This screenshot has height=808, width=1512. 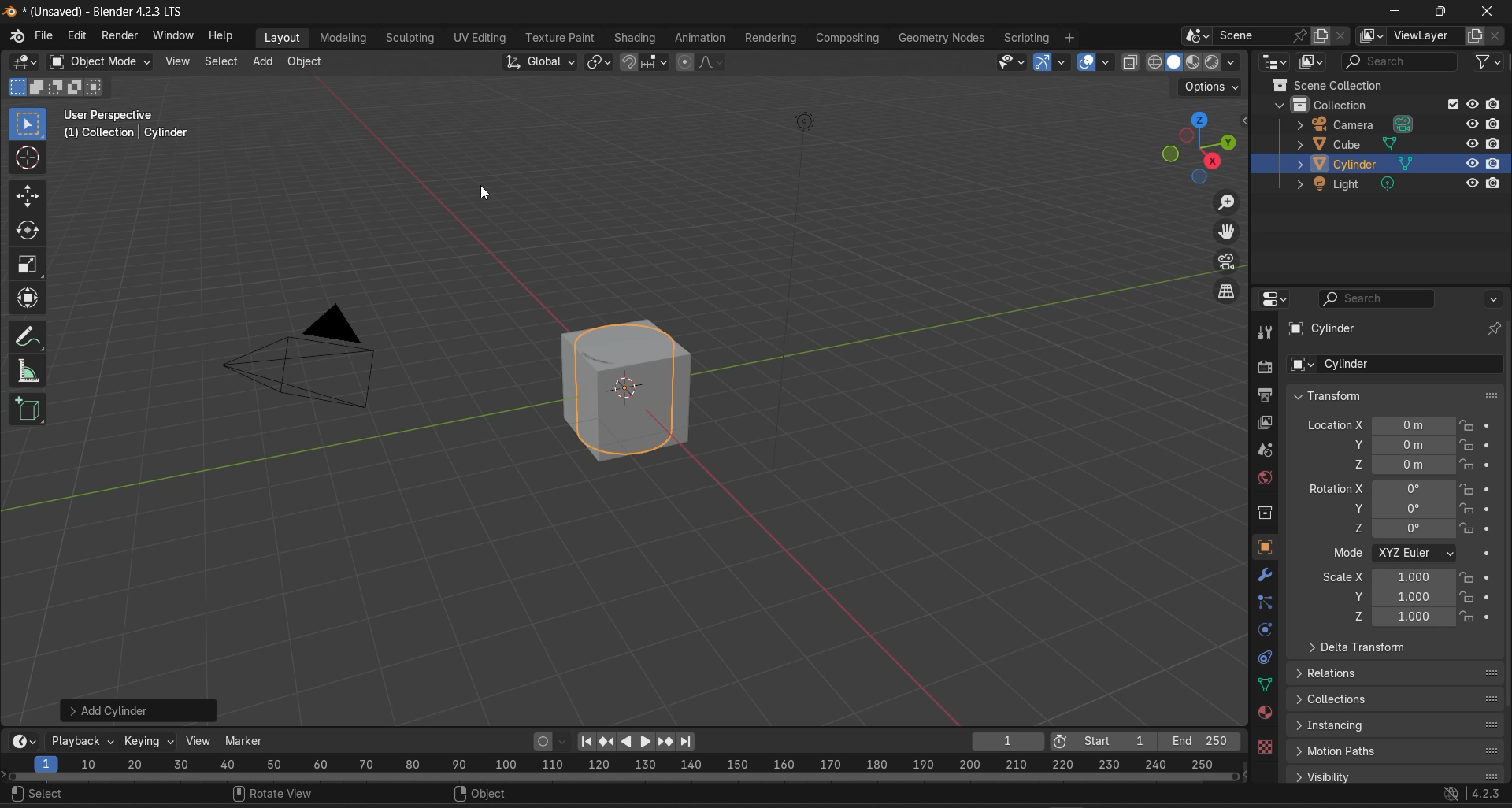 I want to click on cube, so click(x=1358, y=143).